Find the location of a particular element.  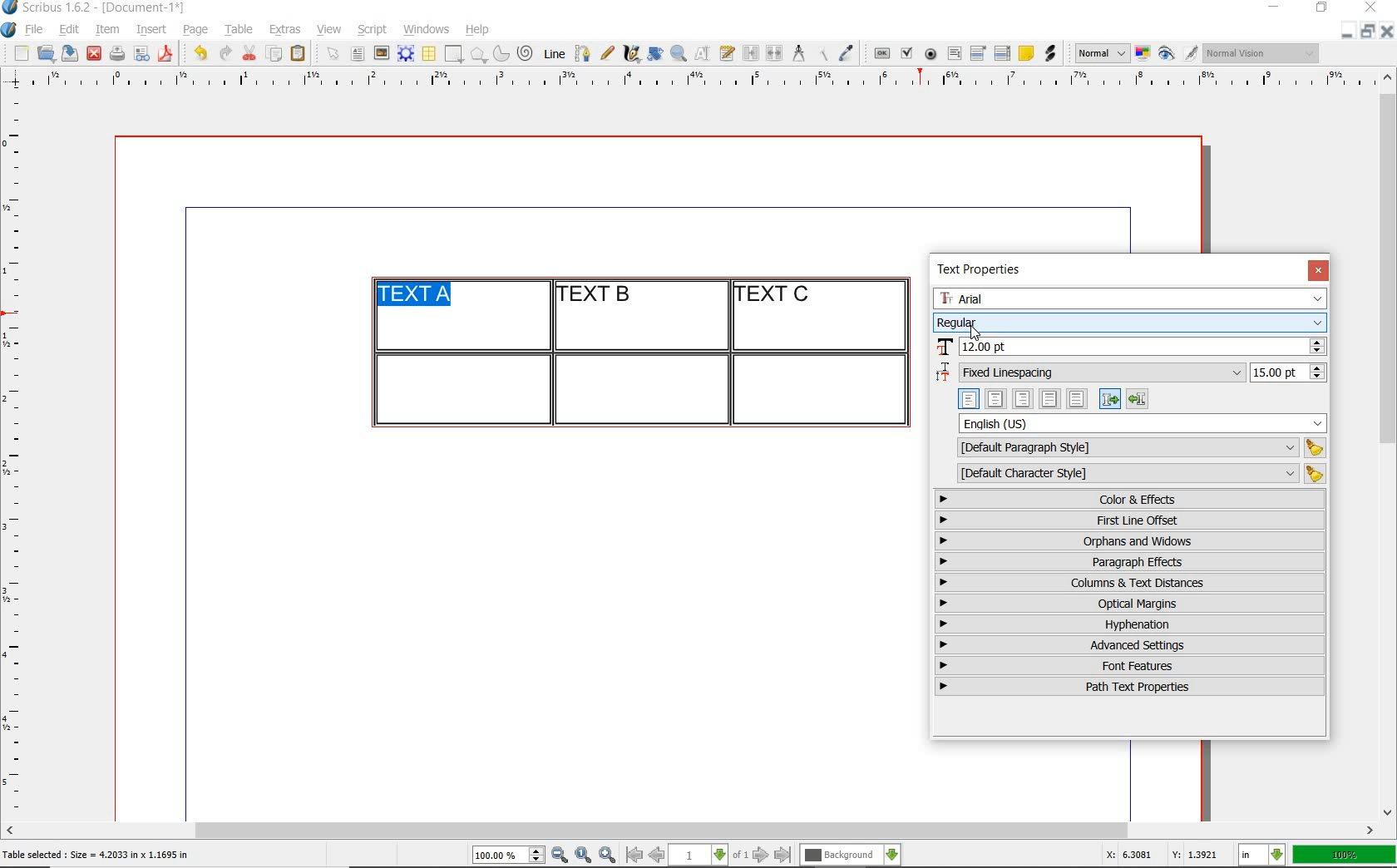

save is located at coordinates (67, 53).